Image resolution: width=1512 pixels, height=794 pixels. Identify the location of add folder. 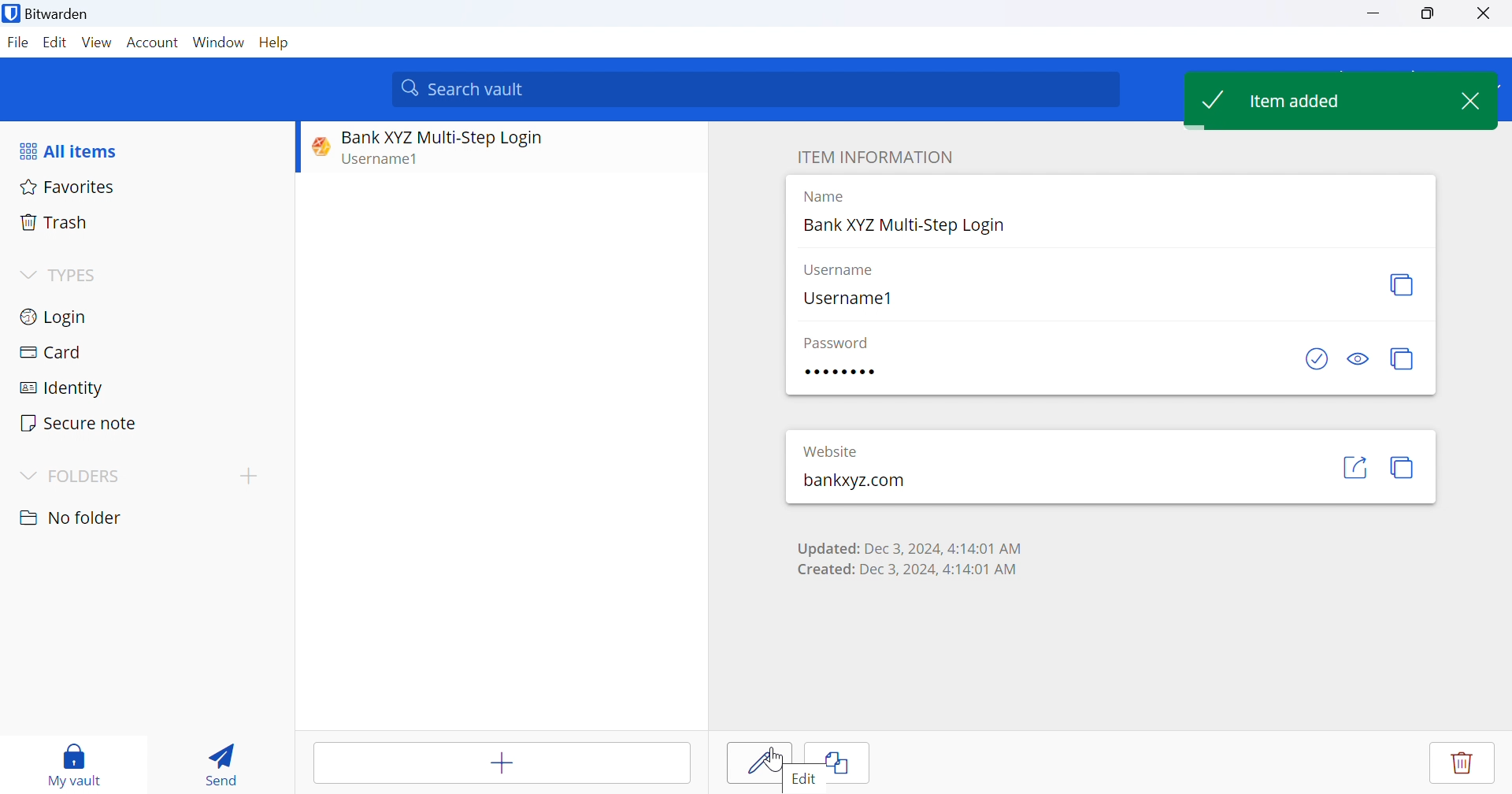
(252, 476).